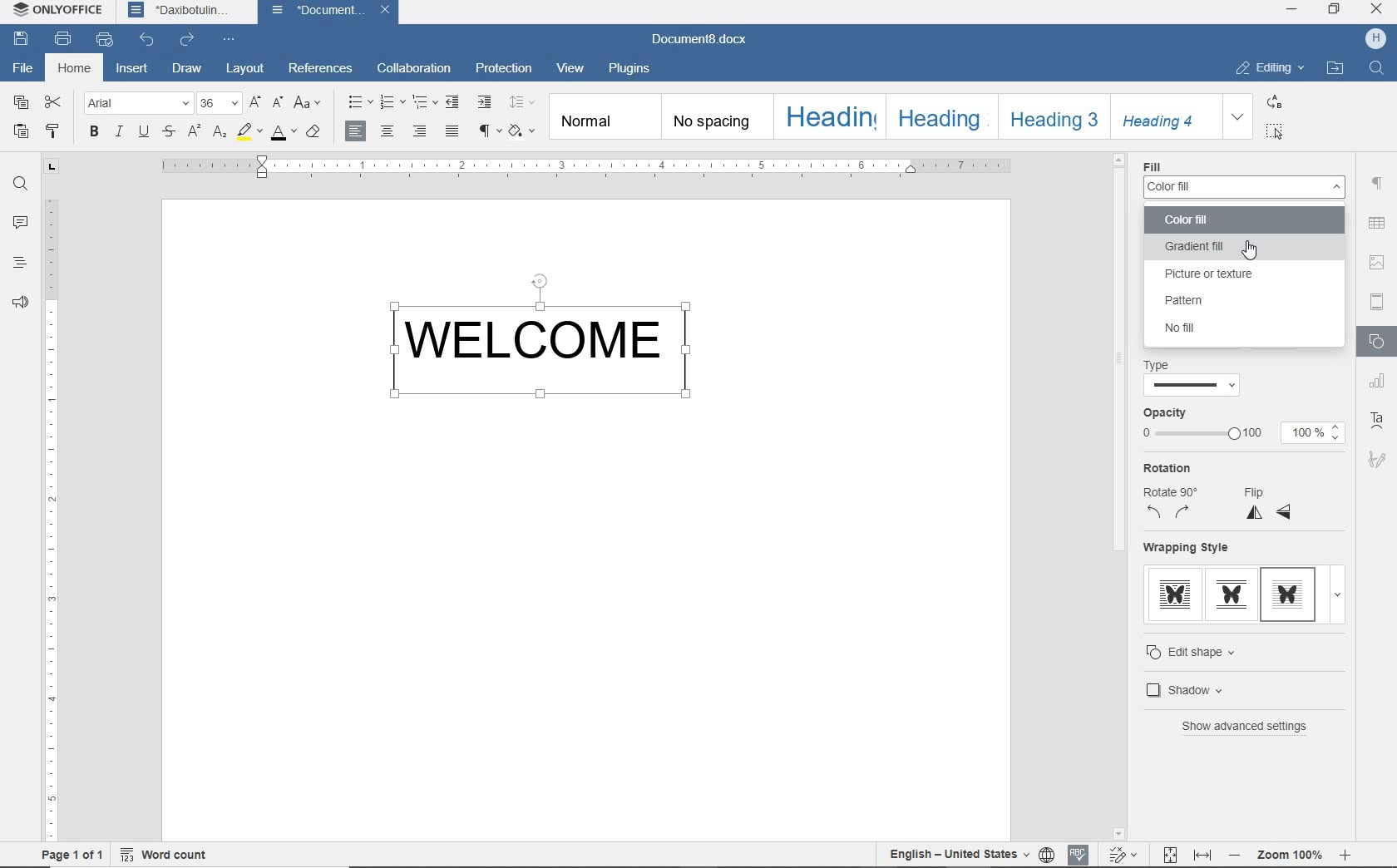 The width and height of the screenshot is (1397, 868). Describe the element at coordinates (1266, 68) in the screenshot. I see `EDITING` at that location.